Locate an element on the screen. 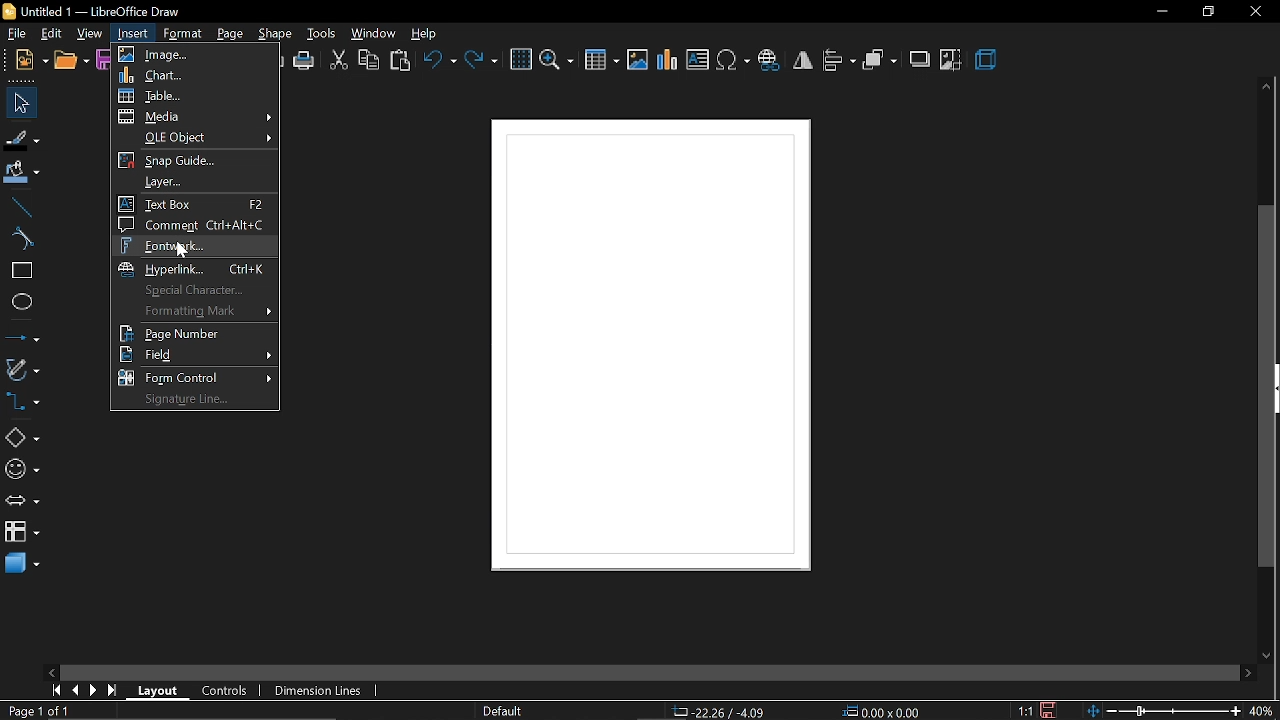 The width and height of the screenshot is (1280, 720). line is located at coordinates (18, 206).